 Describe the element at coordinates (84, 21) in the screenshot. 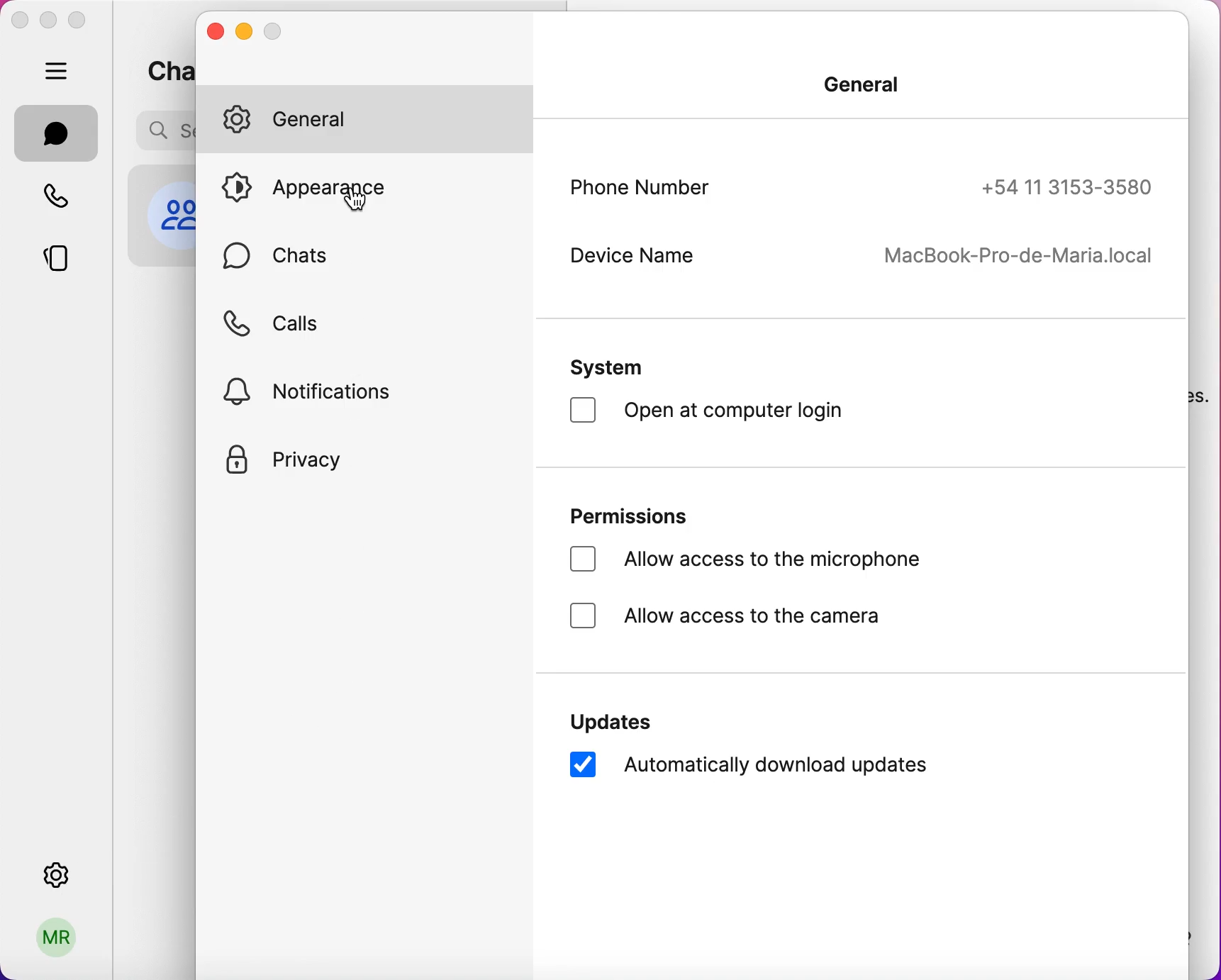

I see `maximize` at that location.